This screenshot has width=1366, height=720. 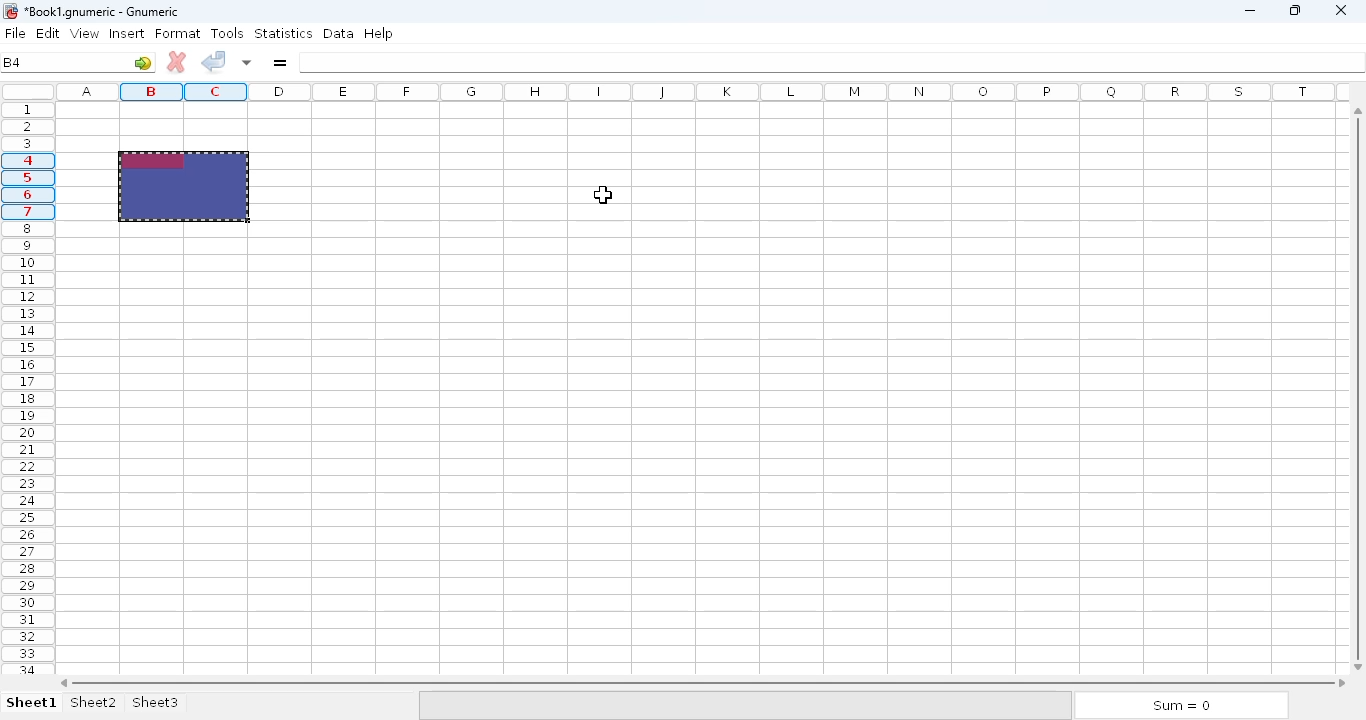 What do you see at coordinates (1358, 399) in the screenshot?
I see `vertical scroll bar` at bounding box center [1358, 399].